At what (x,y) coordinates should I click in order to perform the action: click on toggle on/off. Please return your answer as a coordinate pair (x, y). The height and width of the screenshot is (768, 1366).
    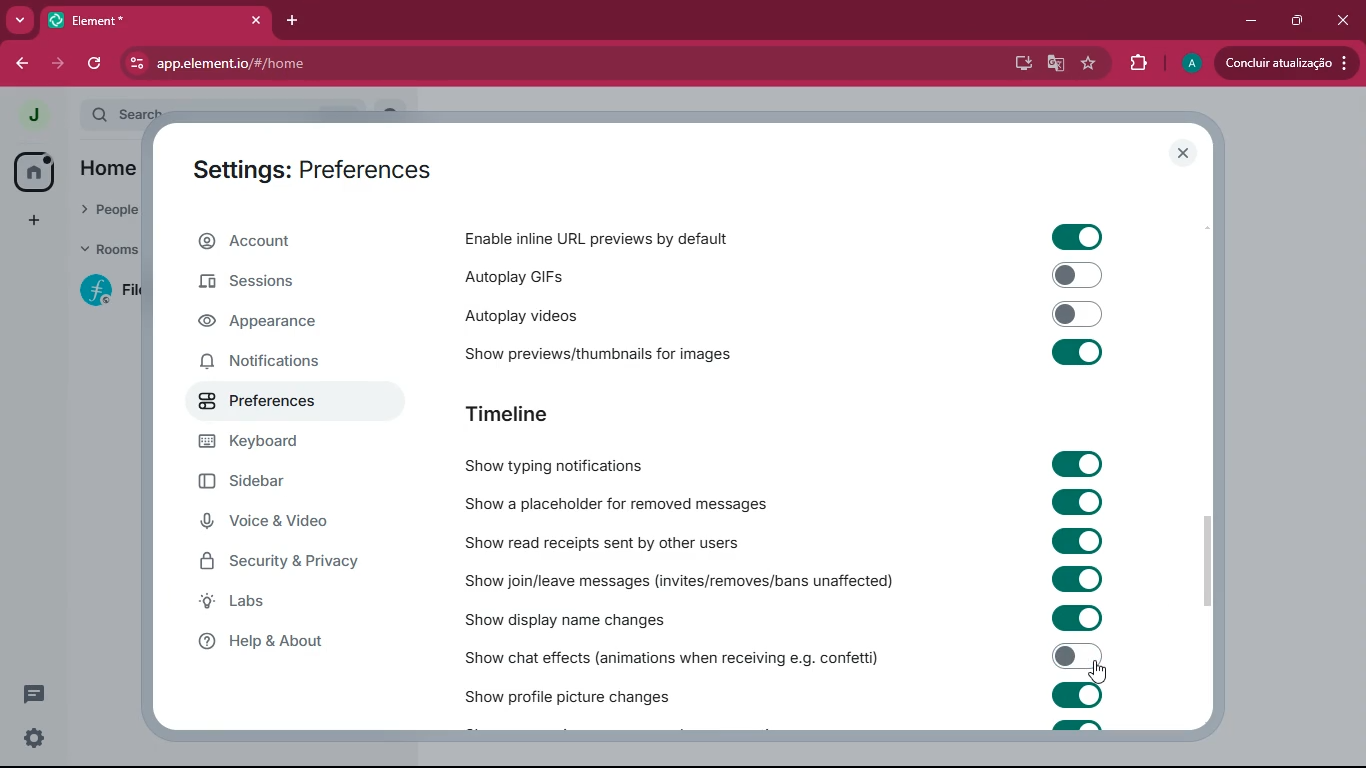
    Looking at the image, I should click on (1078, 275).